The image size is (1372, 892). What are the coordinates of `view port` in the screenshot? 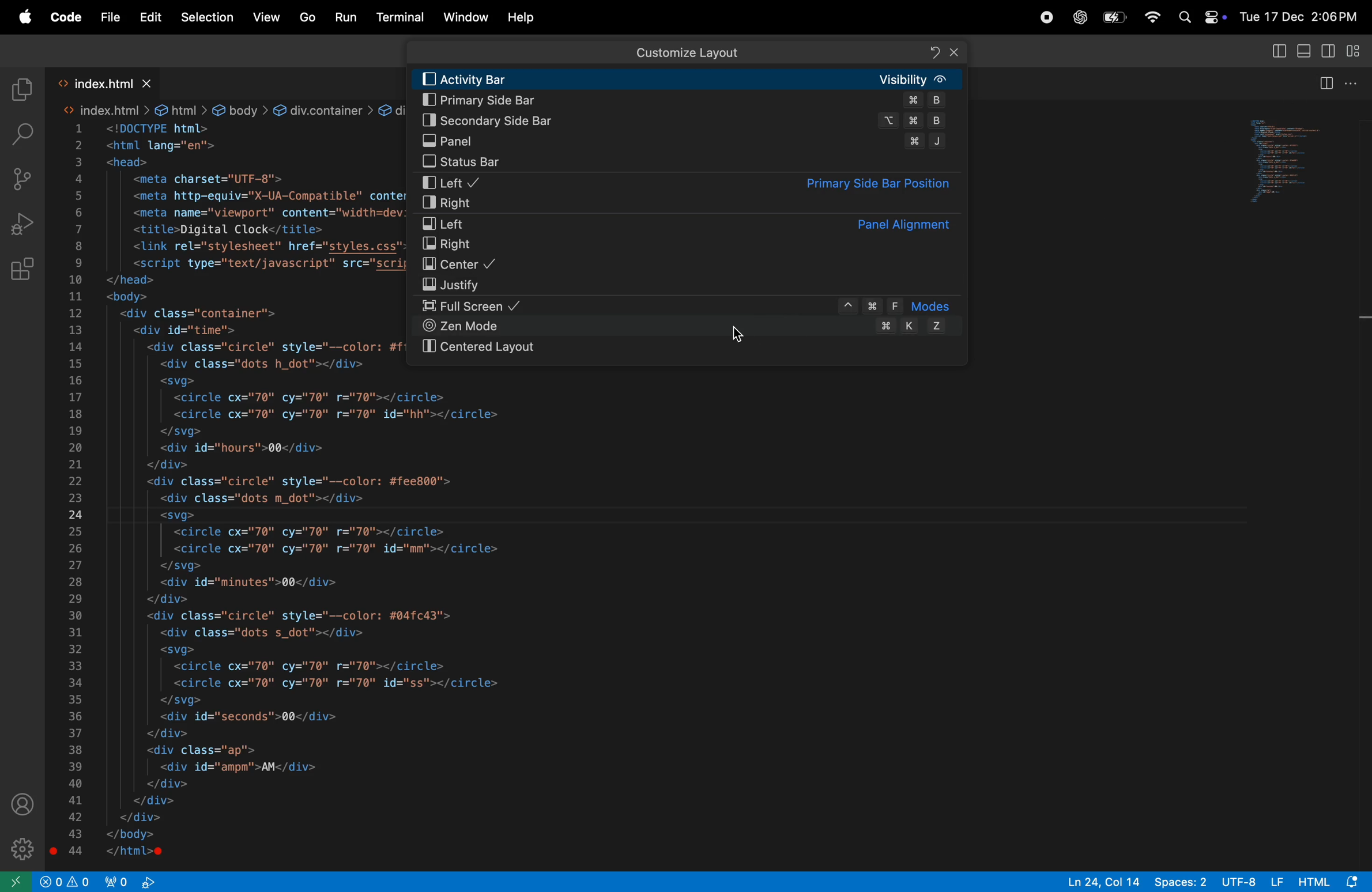 It's located at (130, 882).